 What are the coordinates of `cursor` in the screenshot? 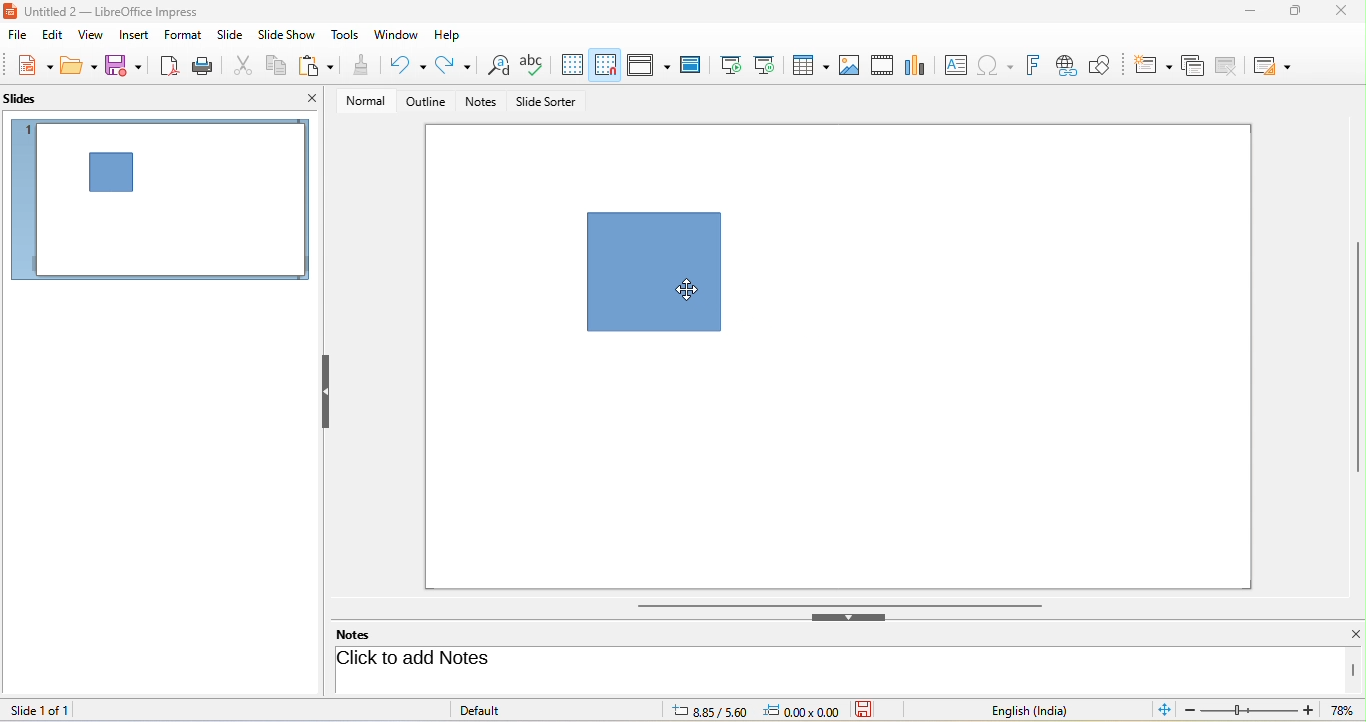 It's located at (685, 288).